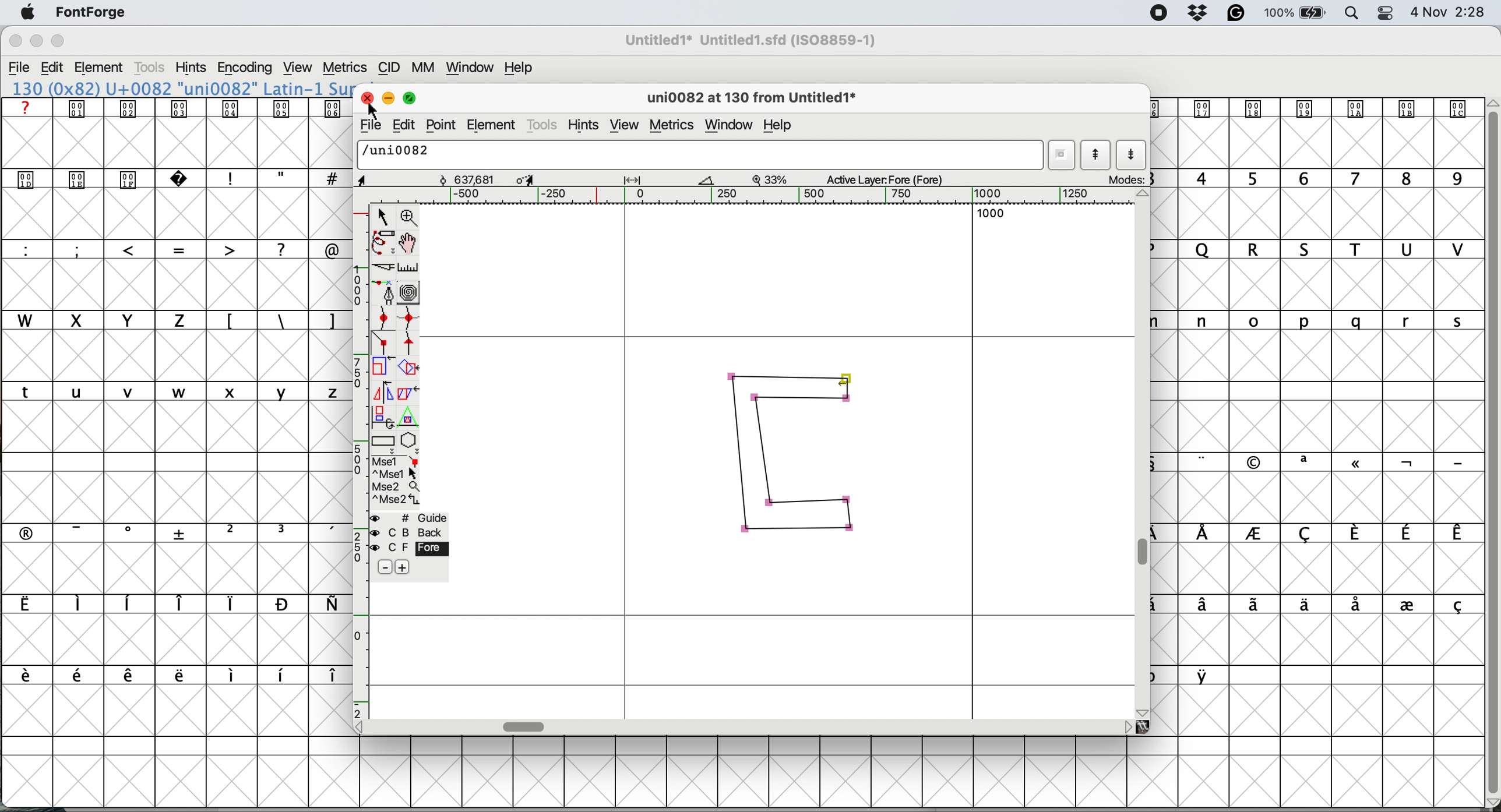  I want to click on symbols and special characters, so click(185, 180).